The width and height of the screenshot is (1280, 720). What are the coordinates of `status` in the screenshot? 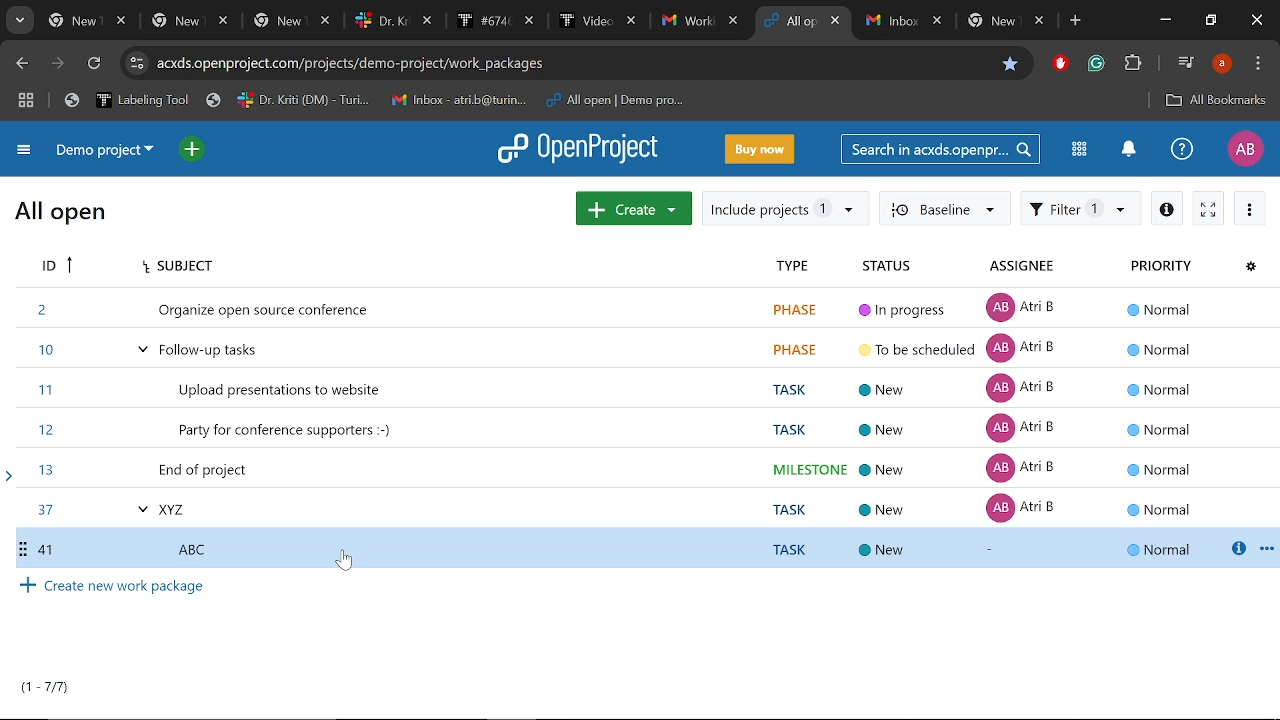 It's located at (911, 411).